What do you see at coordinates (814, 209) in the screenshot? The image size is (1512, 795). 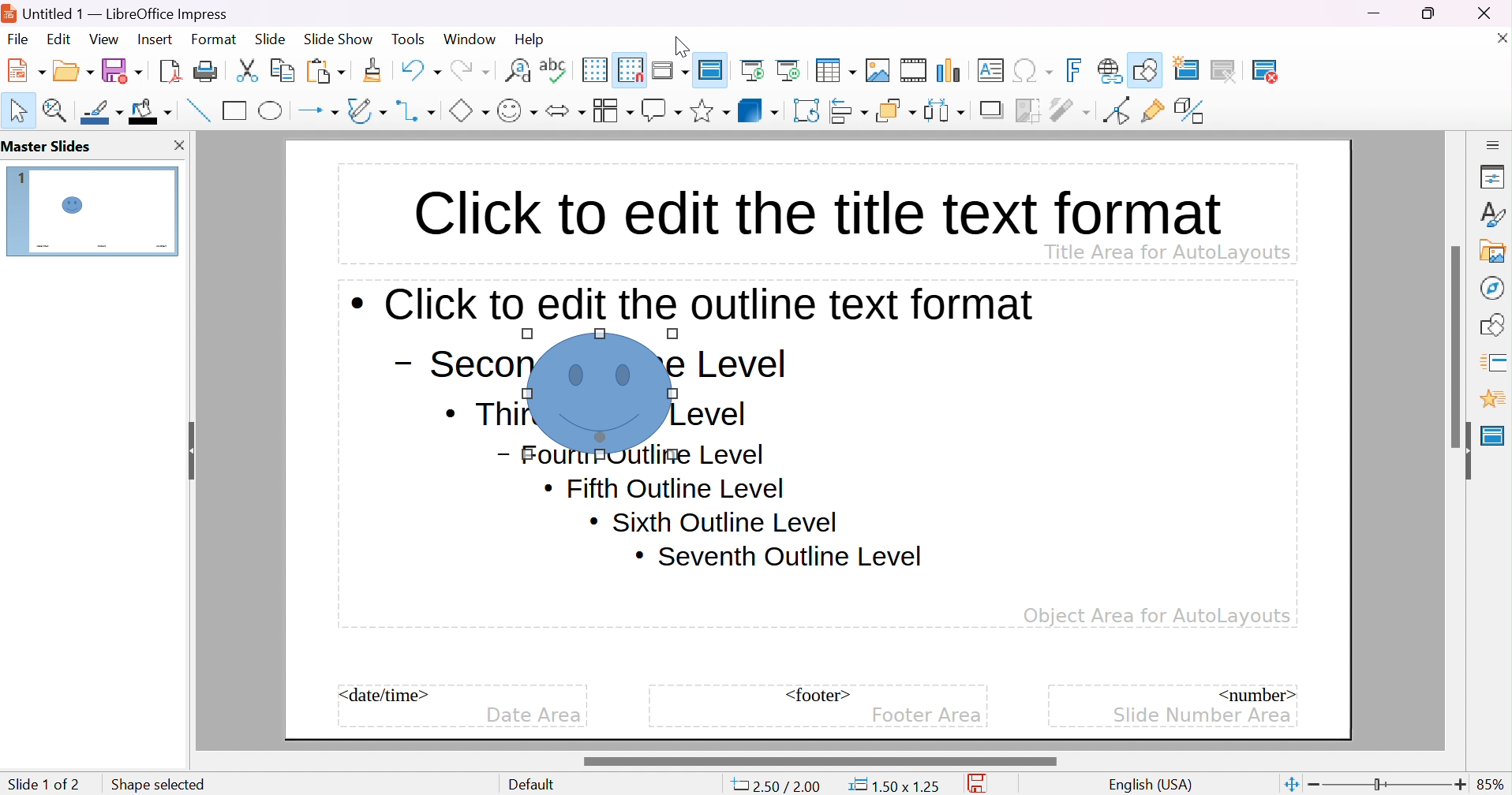 I see `click to edit the title text format` at bounding box center [814, 209].